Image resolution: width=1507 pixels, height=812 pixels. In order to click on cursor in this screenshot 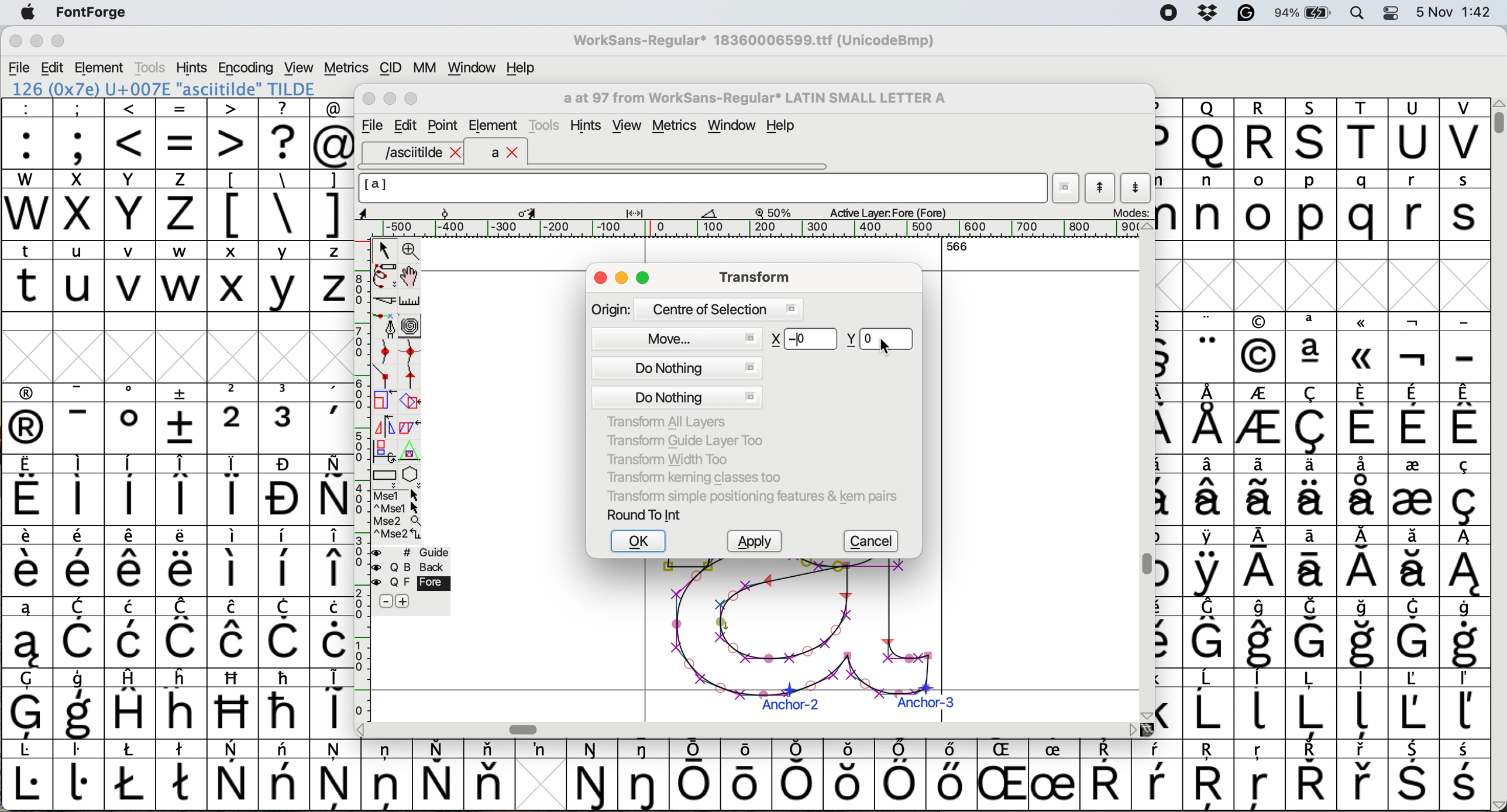, I will do `click(889, 346)`.